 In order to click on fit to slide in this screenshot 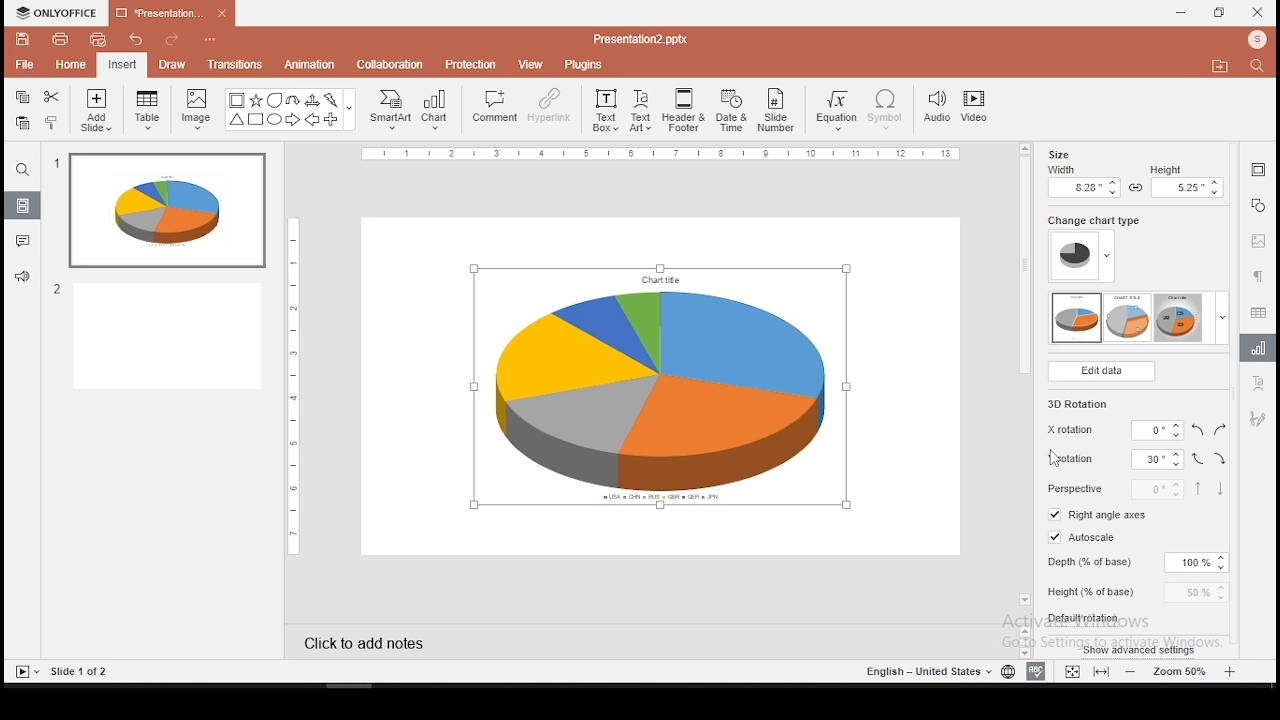, I will do `click(1073, 670)`.